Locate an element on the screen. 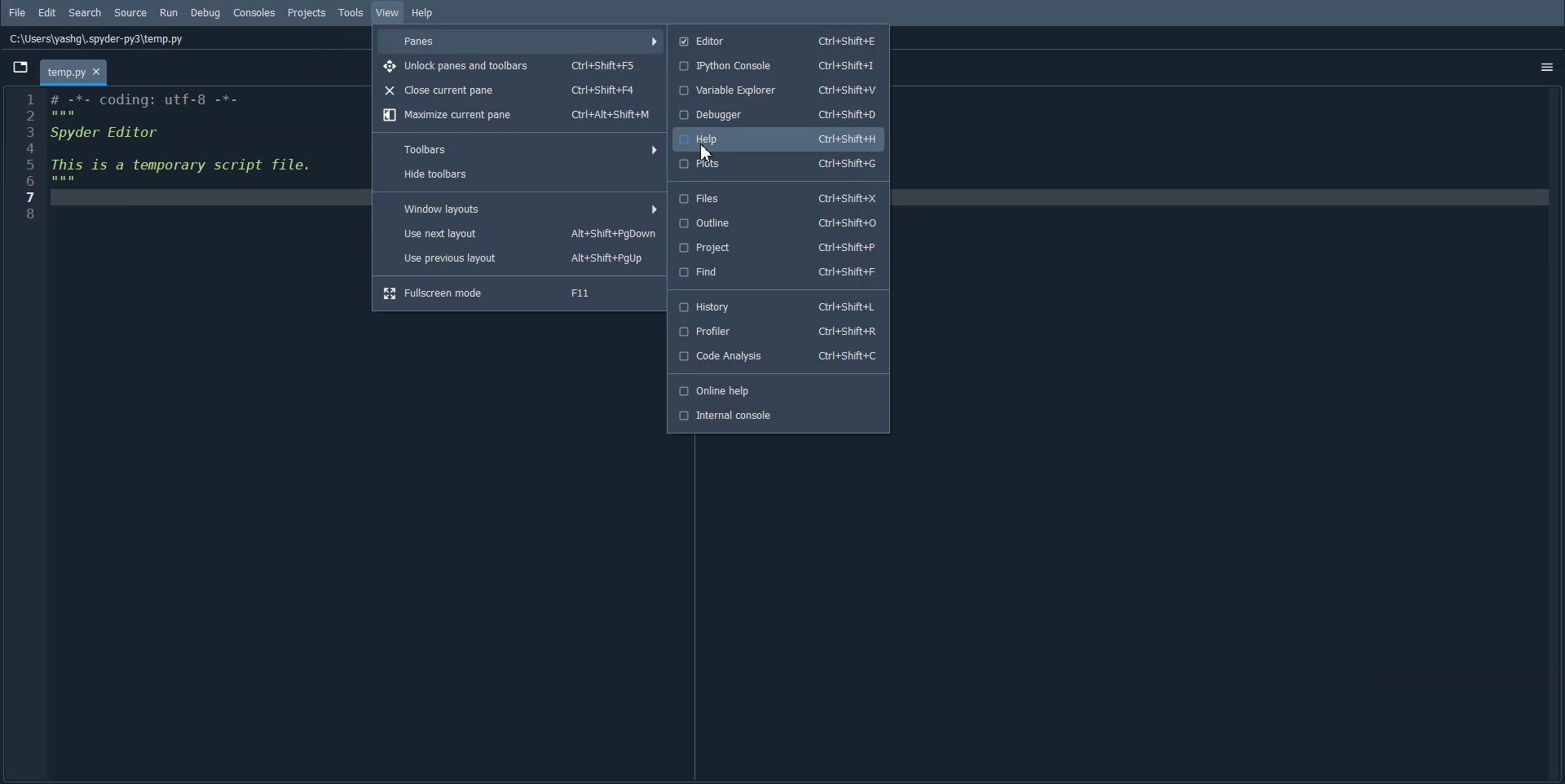 The width and height of the screenshot is (1565, 784). Project is located at coordinates (778, 249).